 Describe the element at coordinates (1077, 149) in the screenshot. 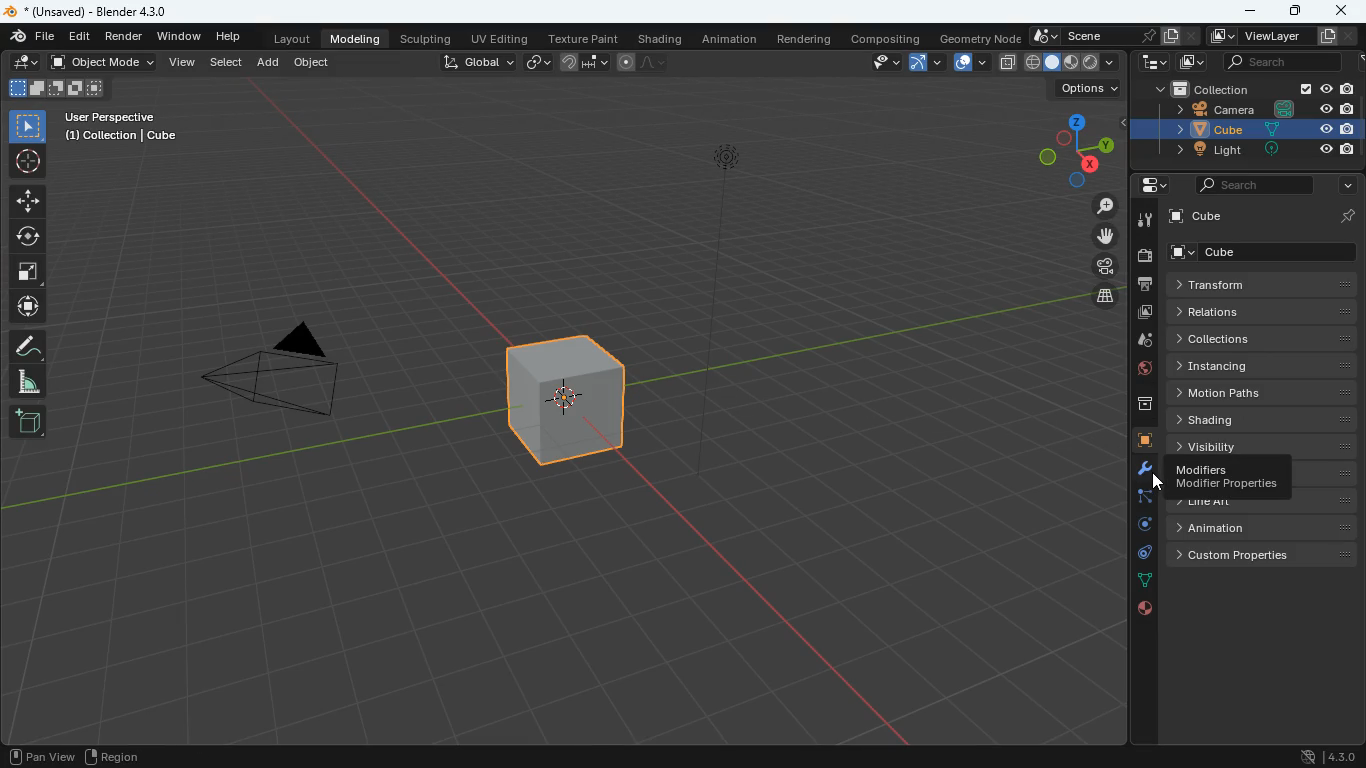

I see `dimensions` at that location.